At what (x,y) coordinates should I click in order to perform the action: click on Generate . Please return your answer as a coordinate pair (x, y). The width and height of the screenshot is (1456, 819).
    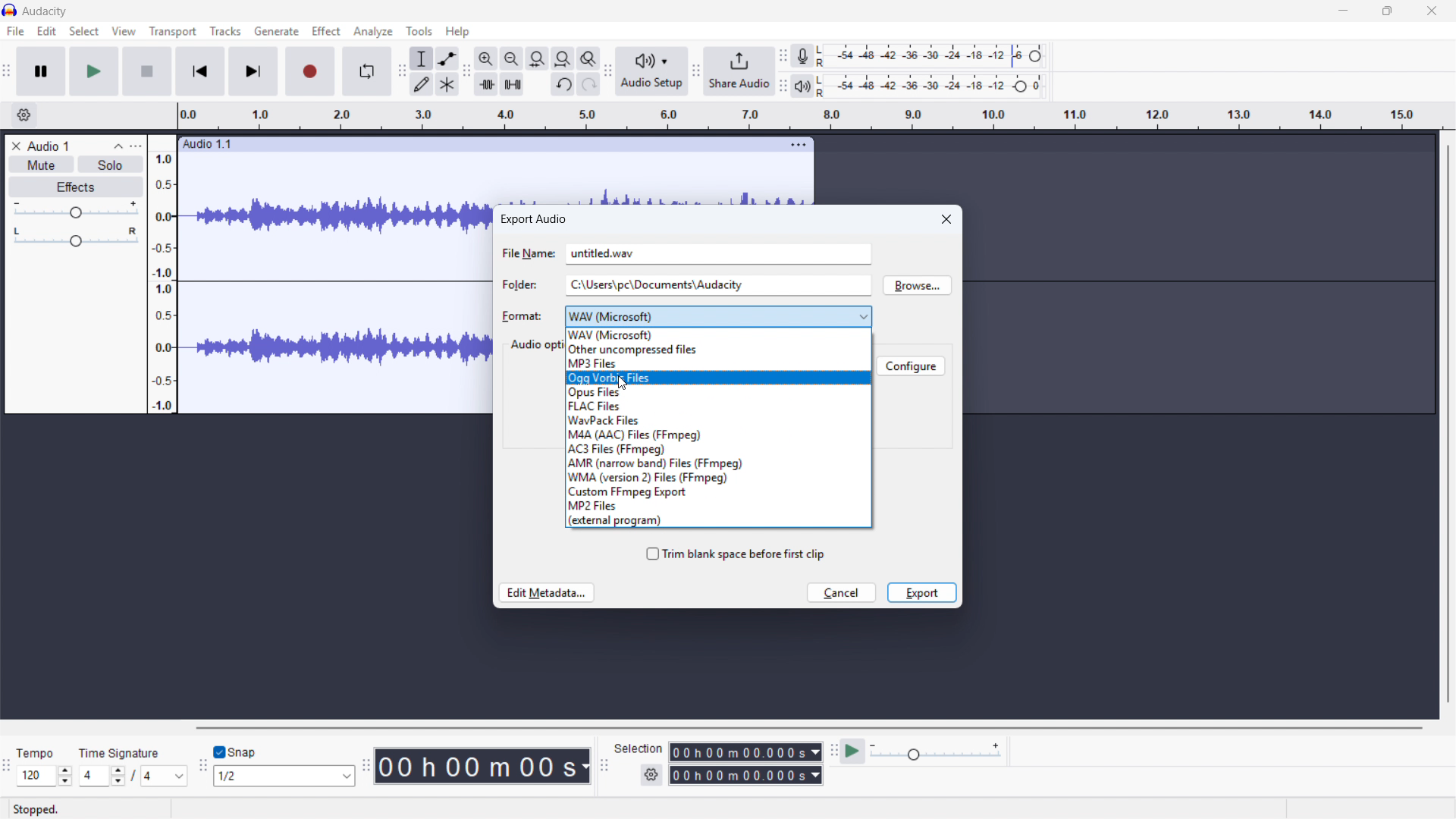
    Looking at the image, I should click on (275, 30).